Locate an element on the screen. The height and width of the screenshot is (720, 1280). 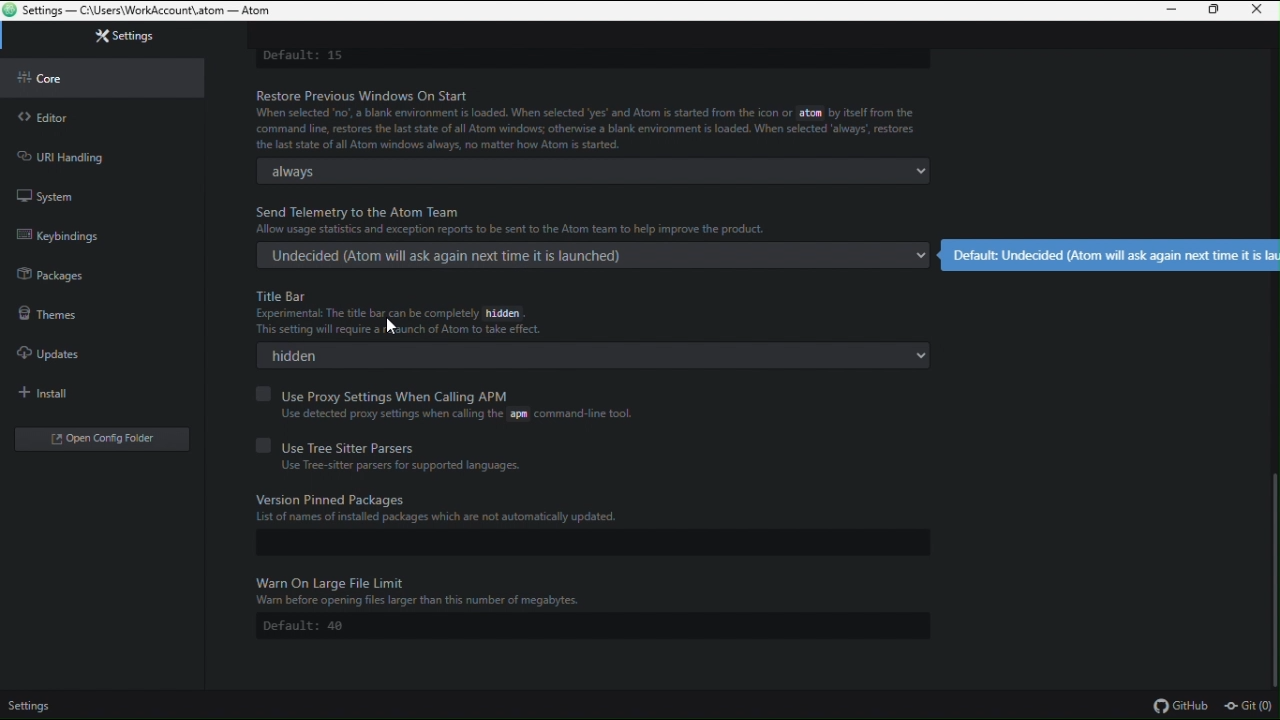
url handling is located at coordinates (105, 154).